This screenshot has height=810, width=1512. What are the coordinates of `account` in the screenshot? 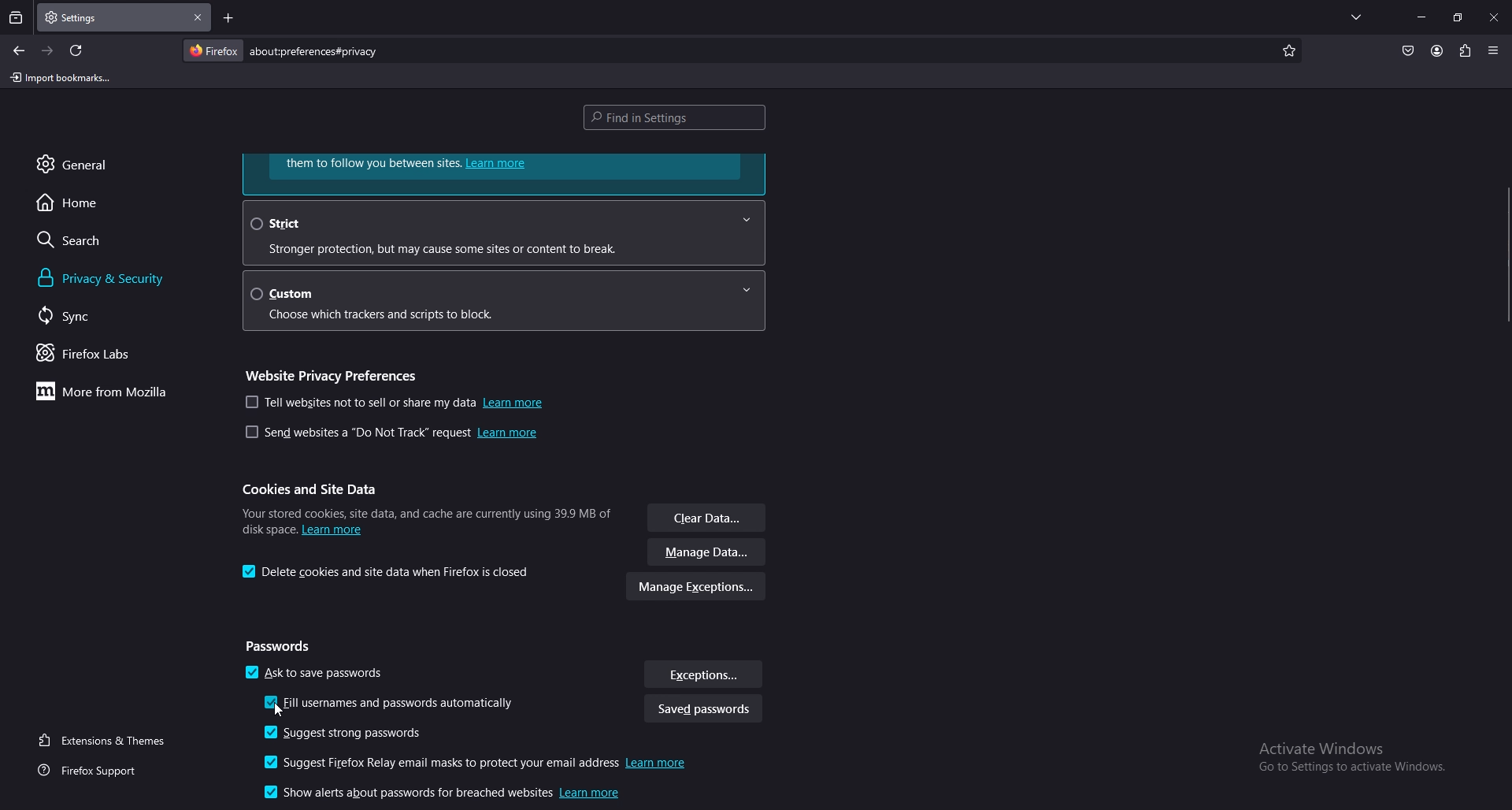 It's located at (1436, 50).